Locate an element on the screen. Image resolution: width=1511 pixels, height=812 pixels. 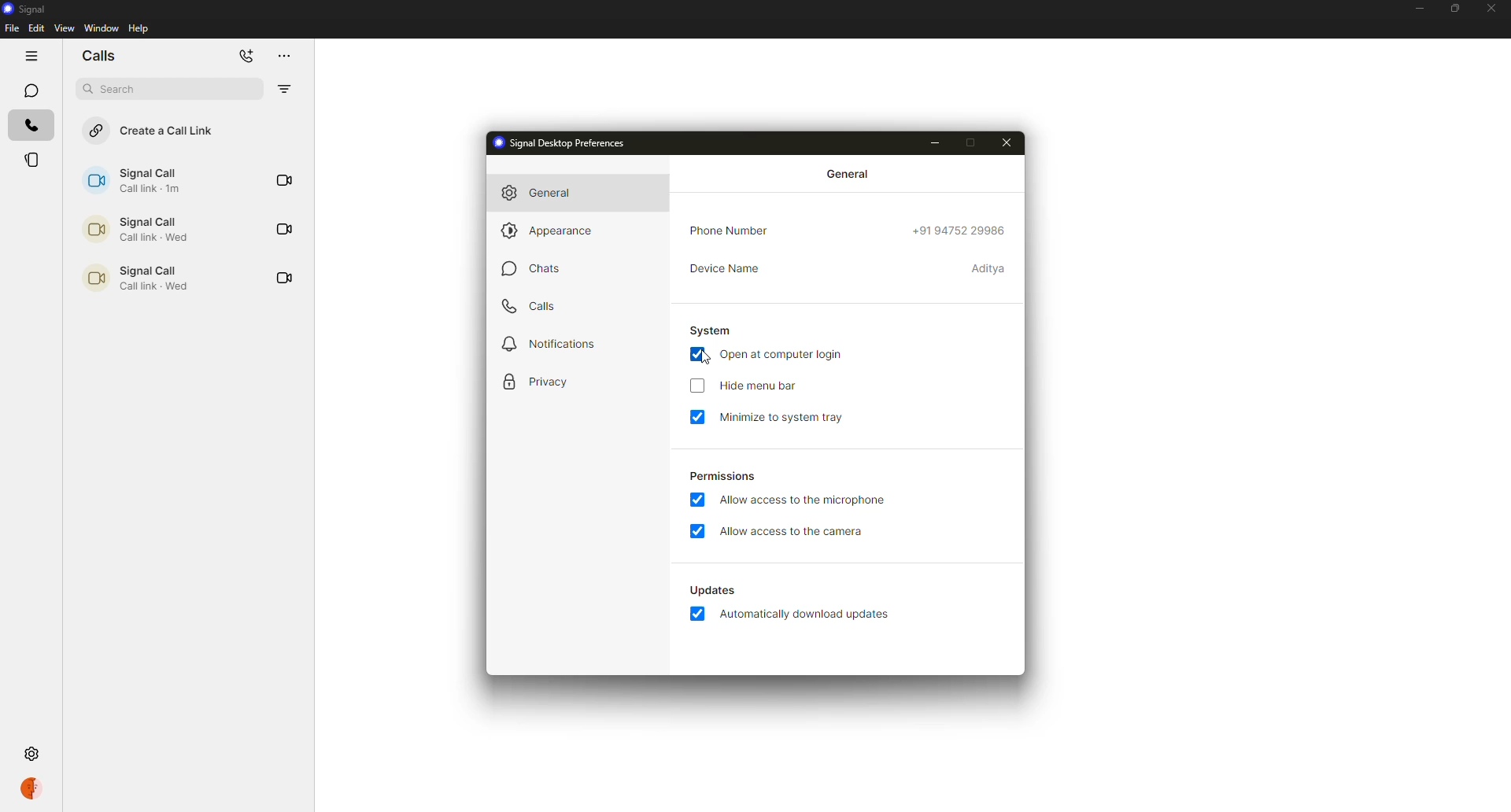
video is located at coordinates (282, 278).